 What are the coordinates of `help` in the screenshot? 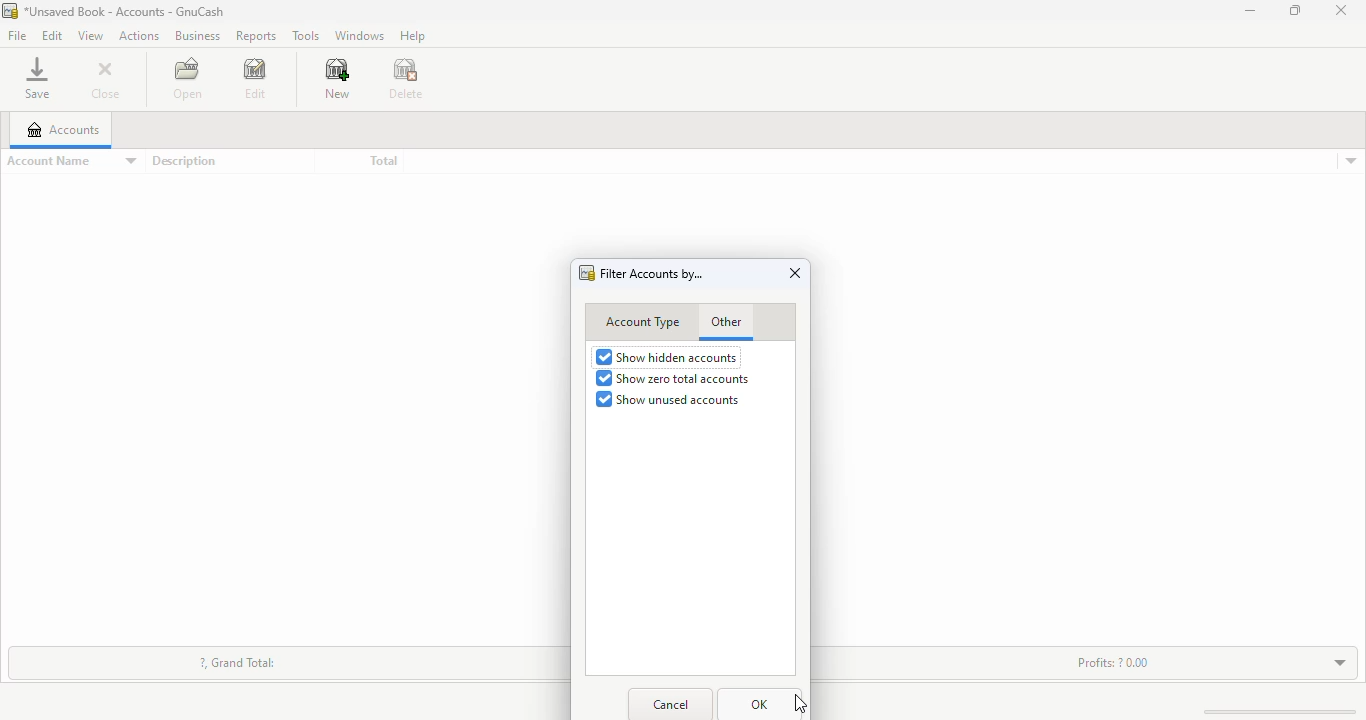 It's located at (412, 35).